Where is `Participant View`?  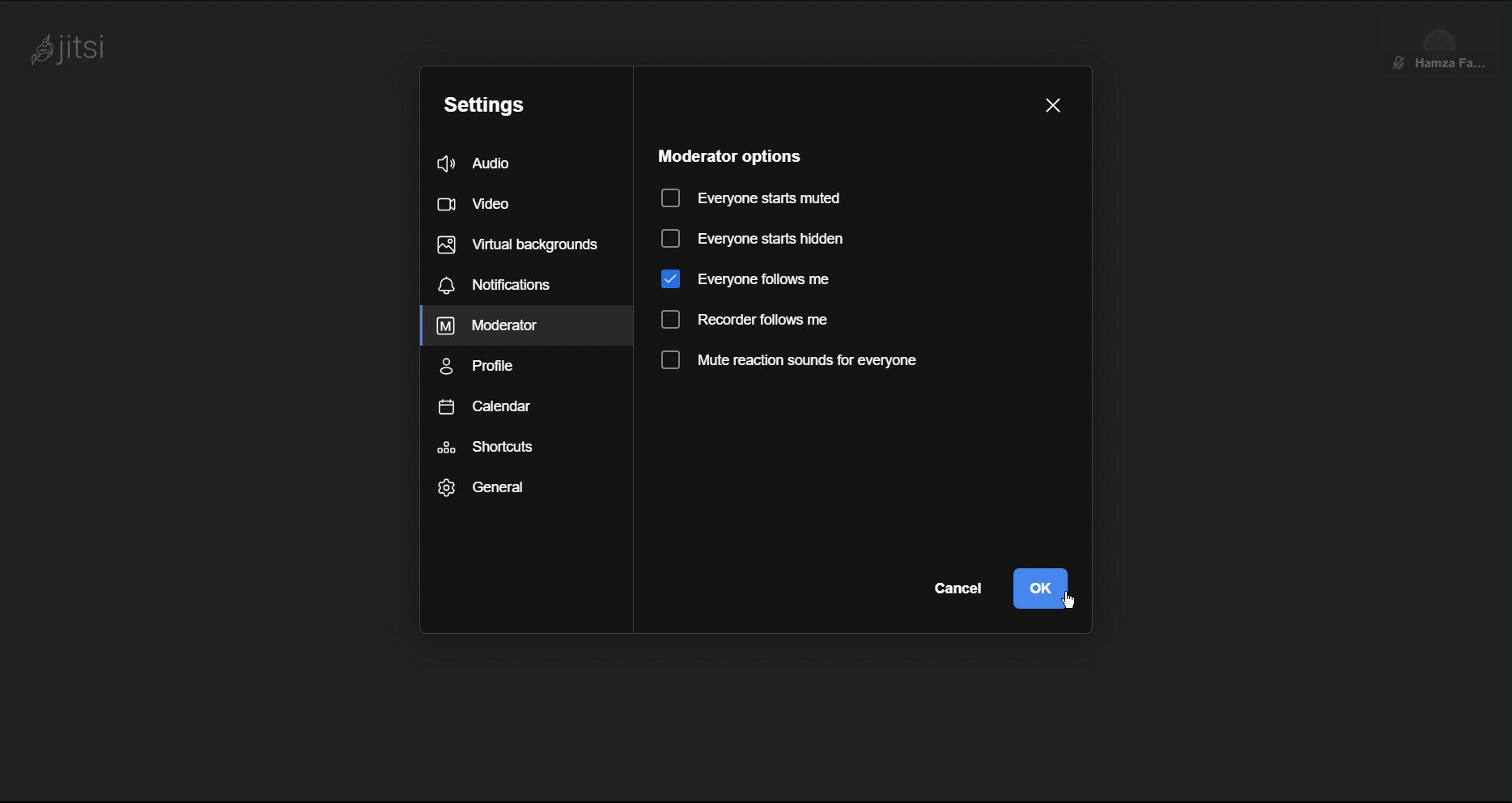 Participant View is located at coordinates (1445, 40).